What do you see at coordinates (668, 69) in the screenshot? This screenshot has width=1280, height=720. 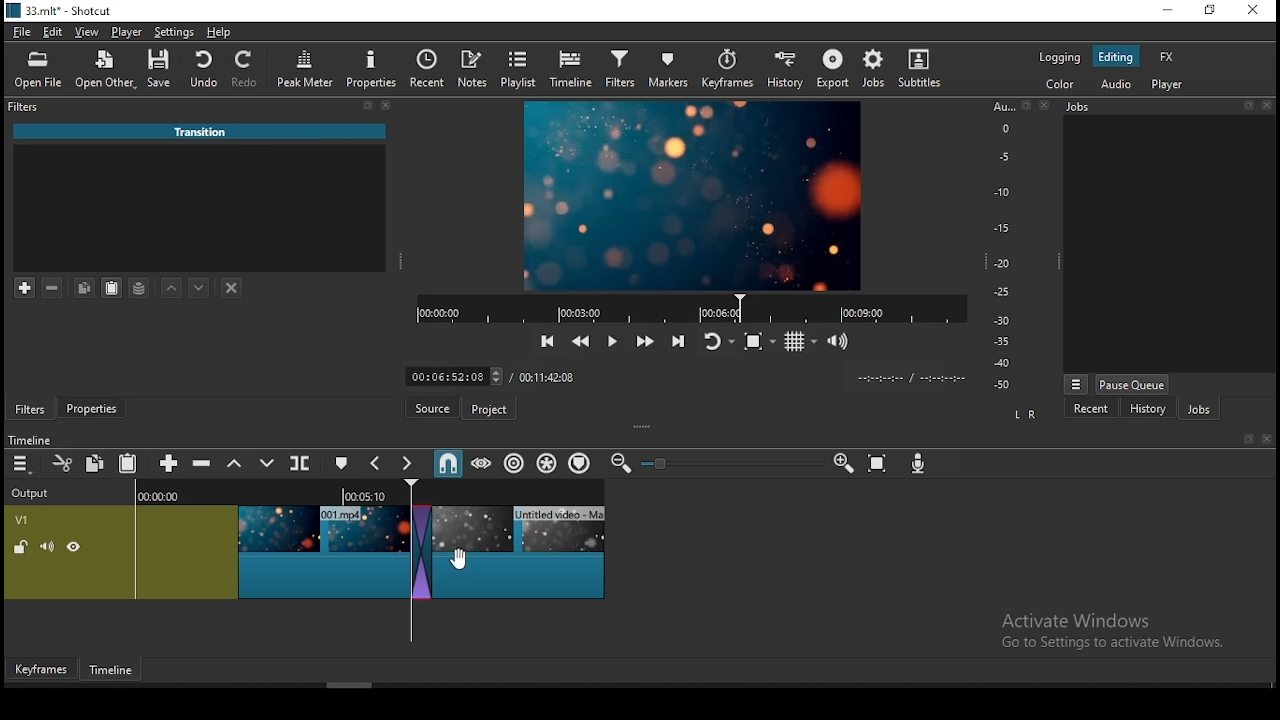 I see `markers` at bounding box center [668, 69].